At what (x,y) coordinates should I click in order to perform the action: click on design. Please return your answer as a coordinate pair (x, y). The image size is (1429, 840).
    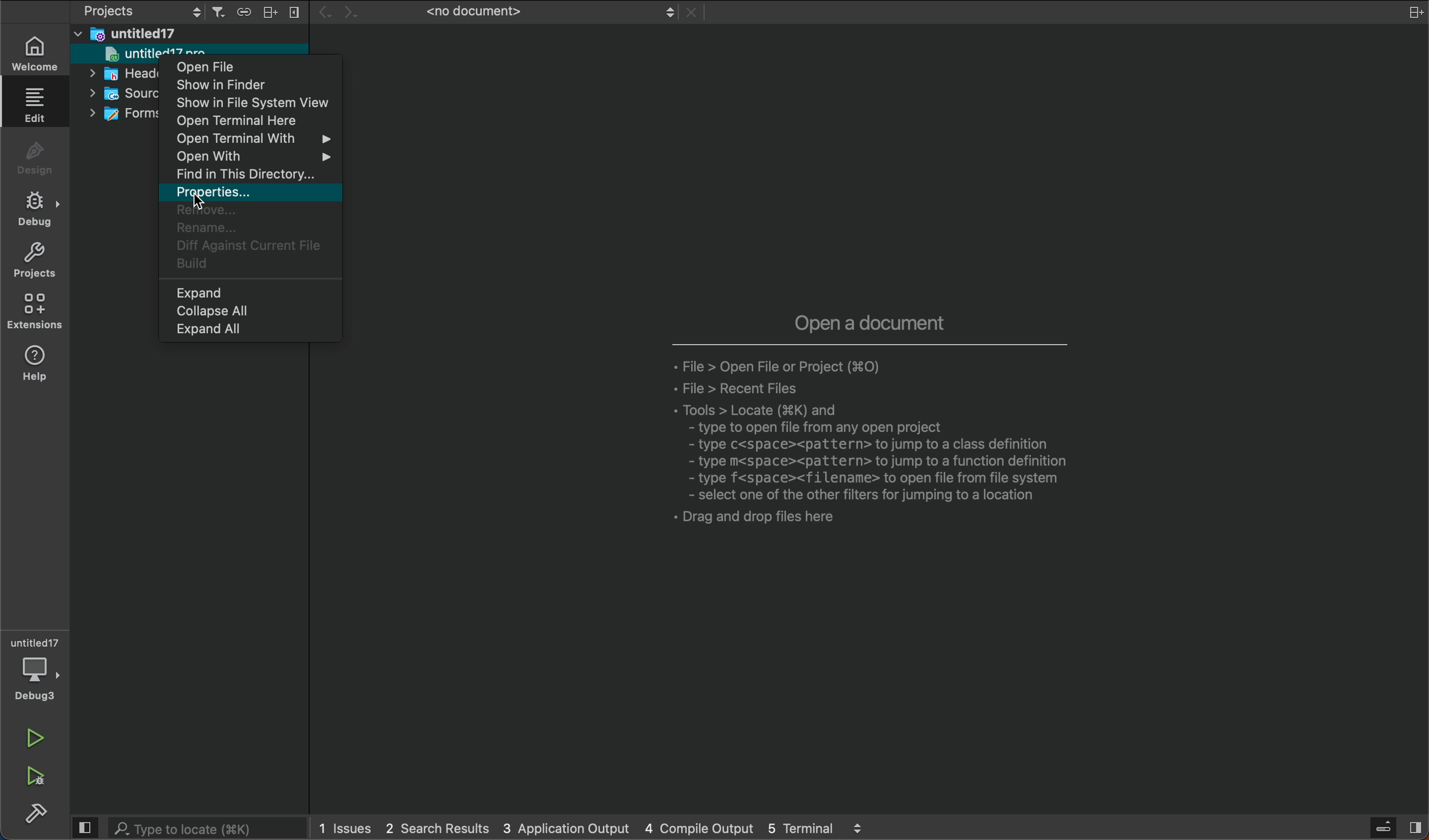
    Looking at the image, I should click on (40, 156).